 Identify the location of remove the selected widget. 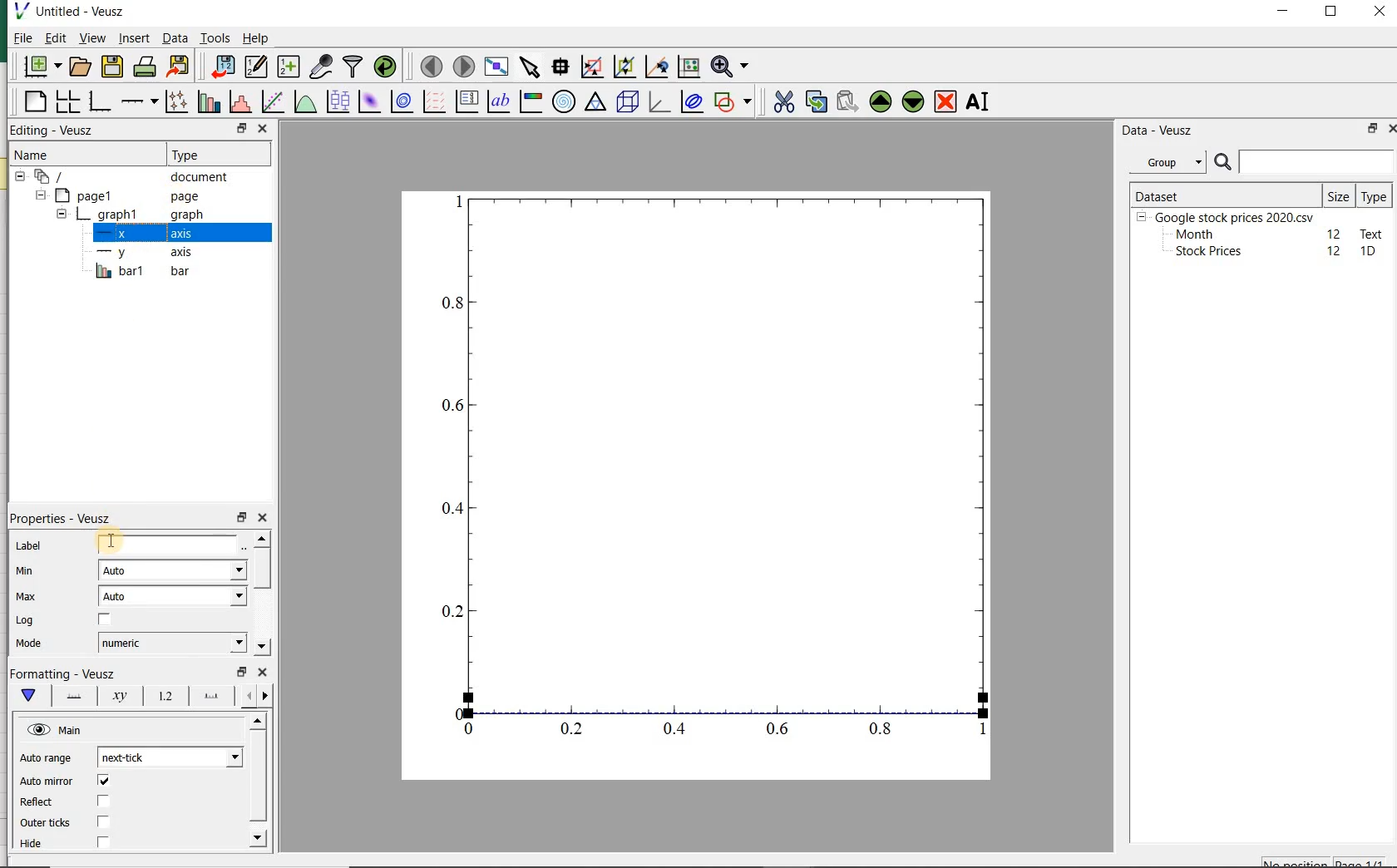
(946, 101).